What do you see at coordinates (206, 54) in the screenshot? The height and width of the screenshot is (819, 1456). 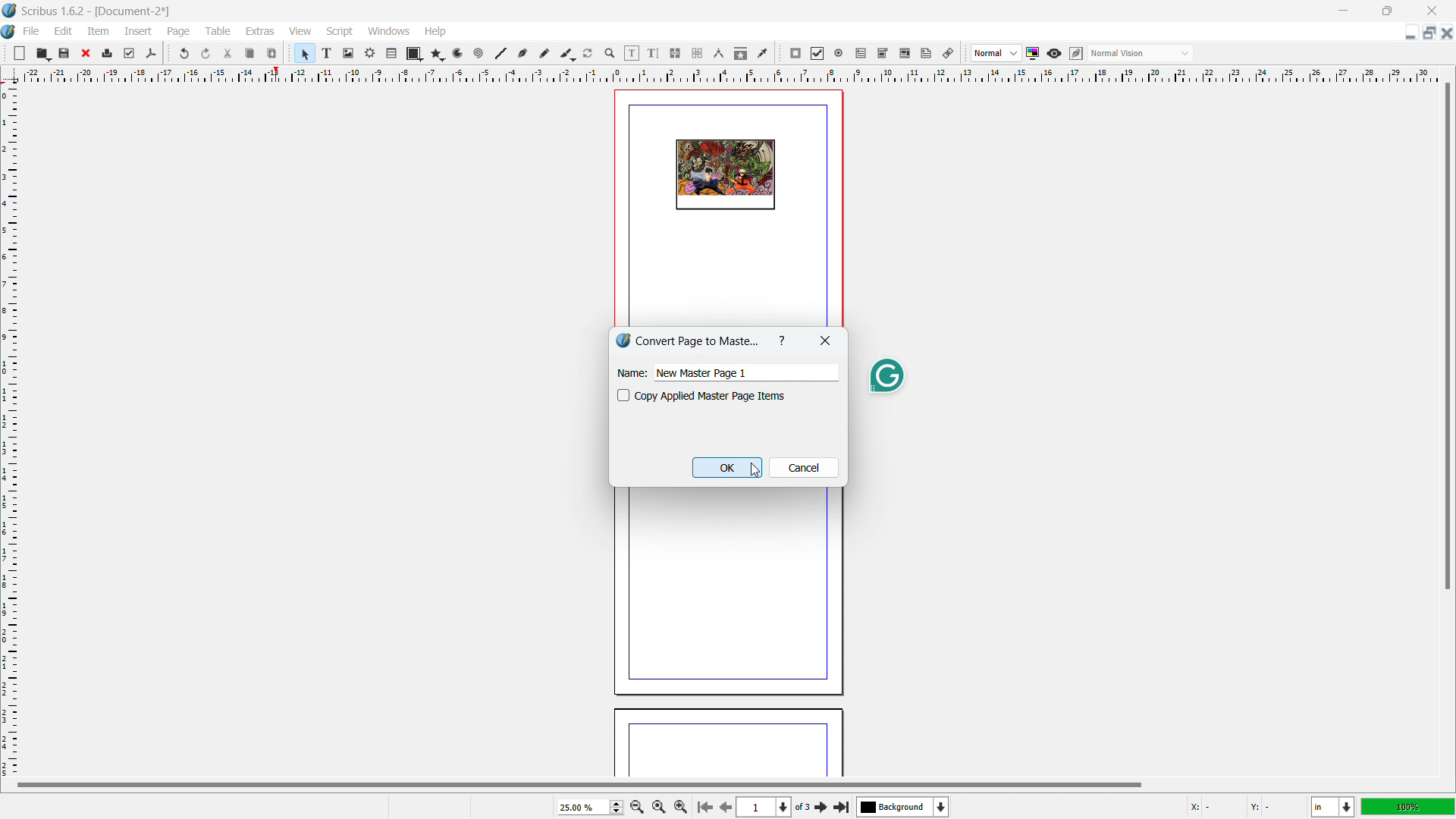 I see `redo` at bounding box center [206, 54].